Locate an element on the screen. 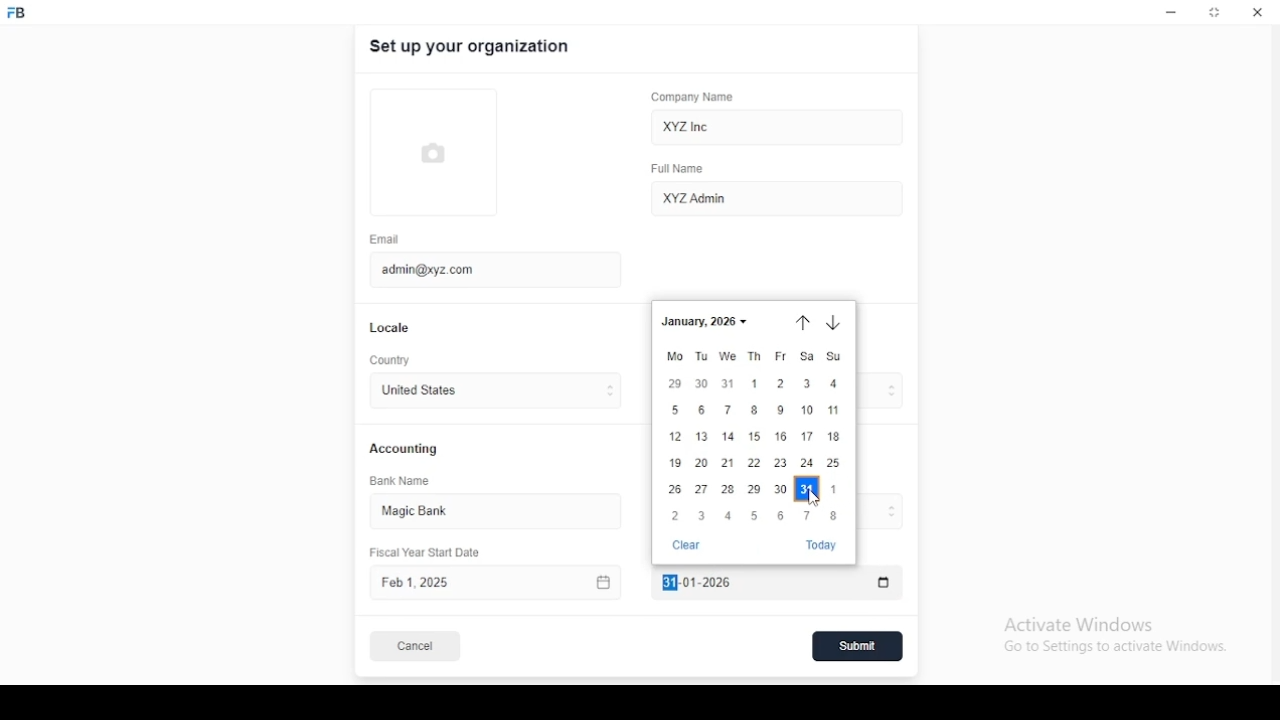  1 is located at coordinates (755, 384).